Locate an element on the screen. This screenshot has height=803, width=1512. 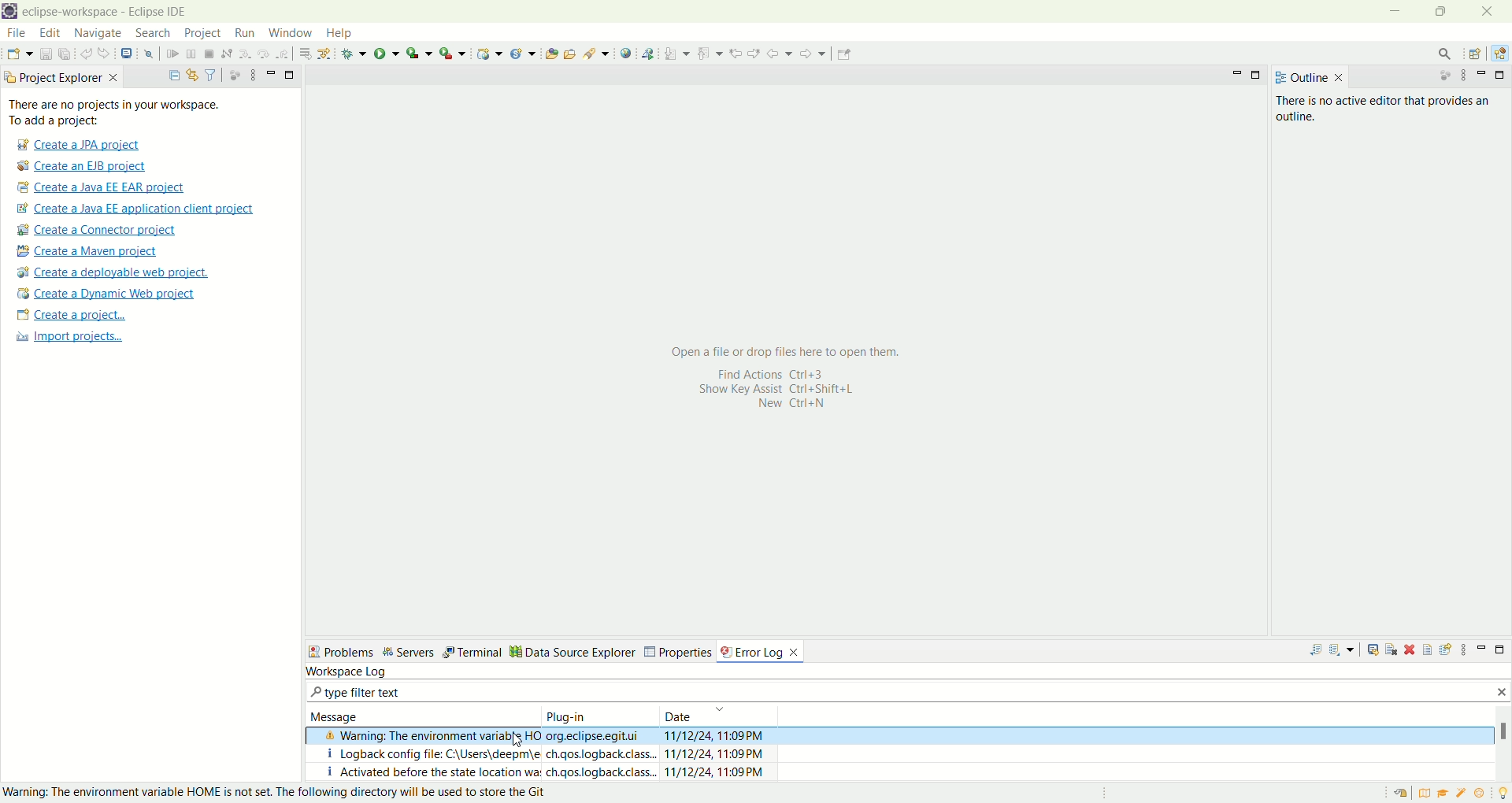
help is located at coordinates (336, 33).